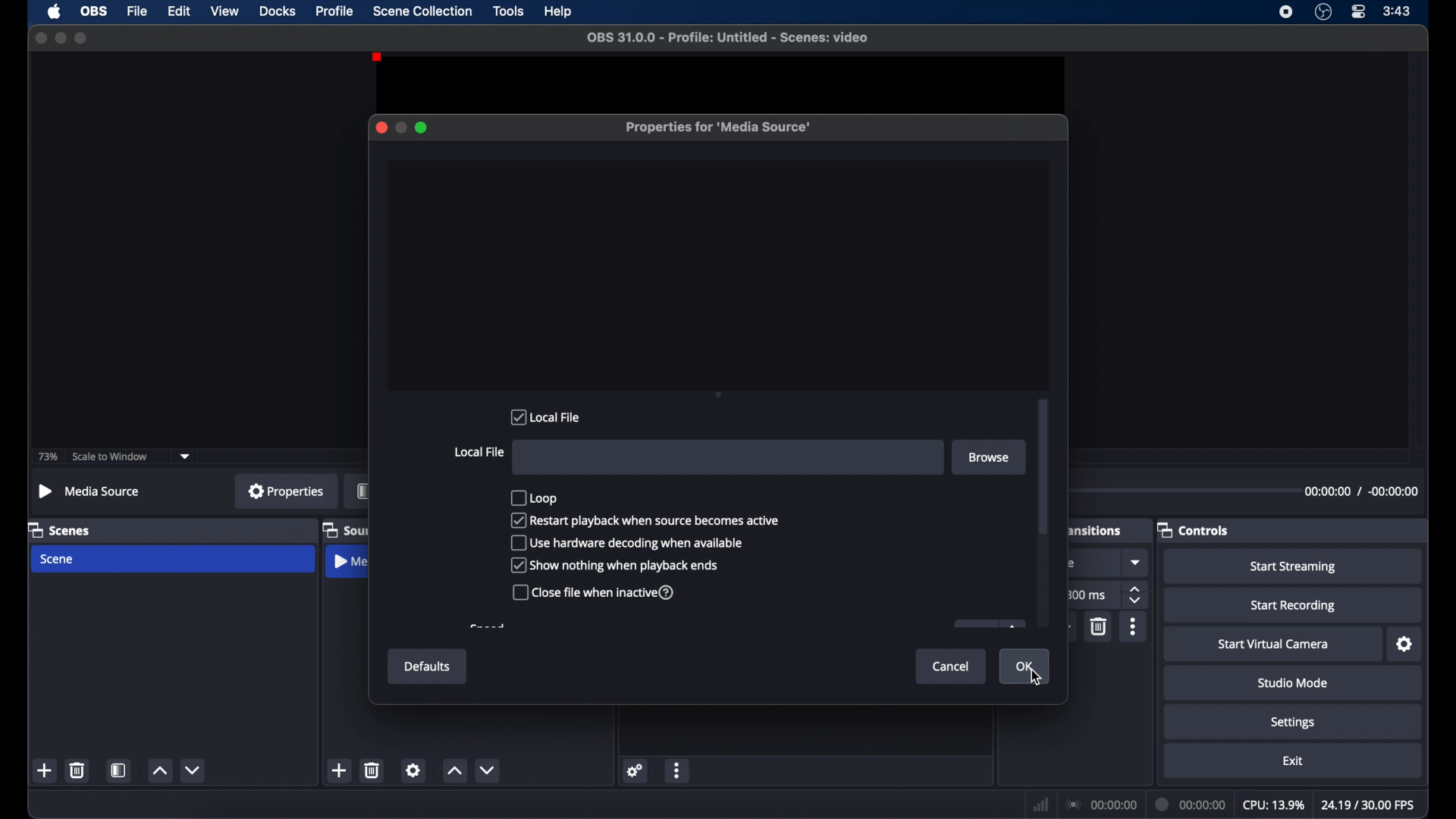  Describe the element at coordinates (1404, 644) in the screenshot. I see `settings` at that location.